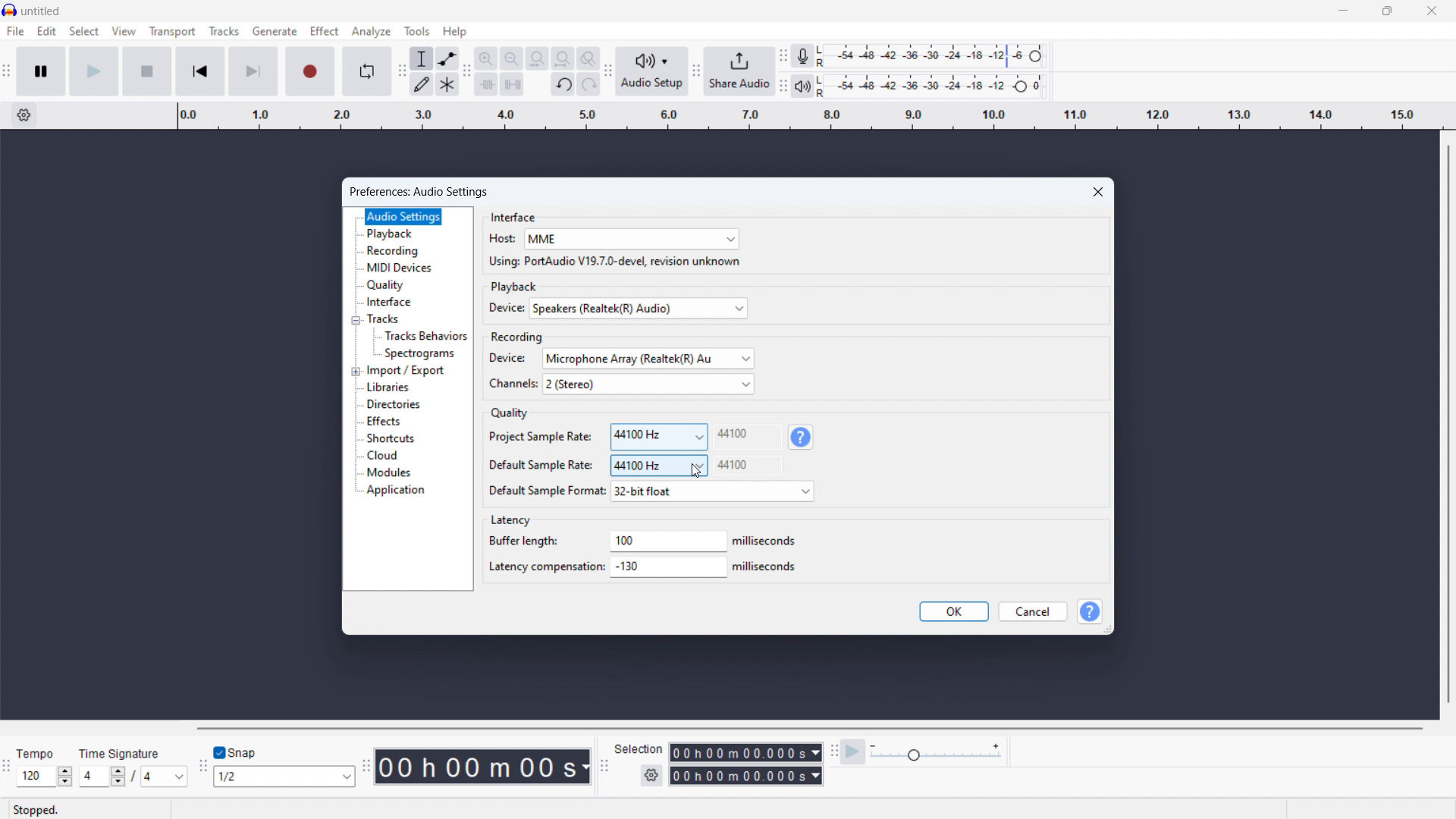  Describe the element at coordinates (466, 74) in the screenshot. I see `edit toolbar` at that location.